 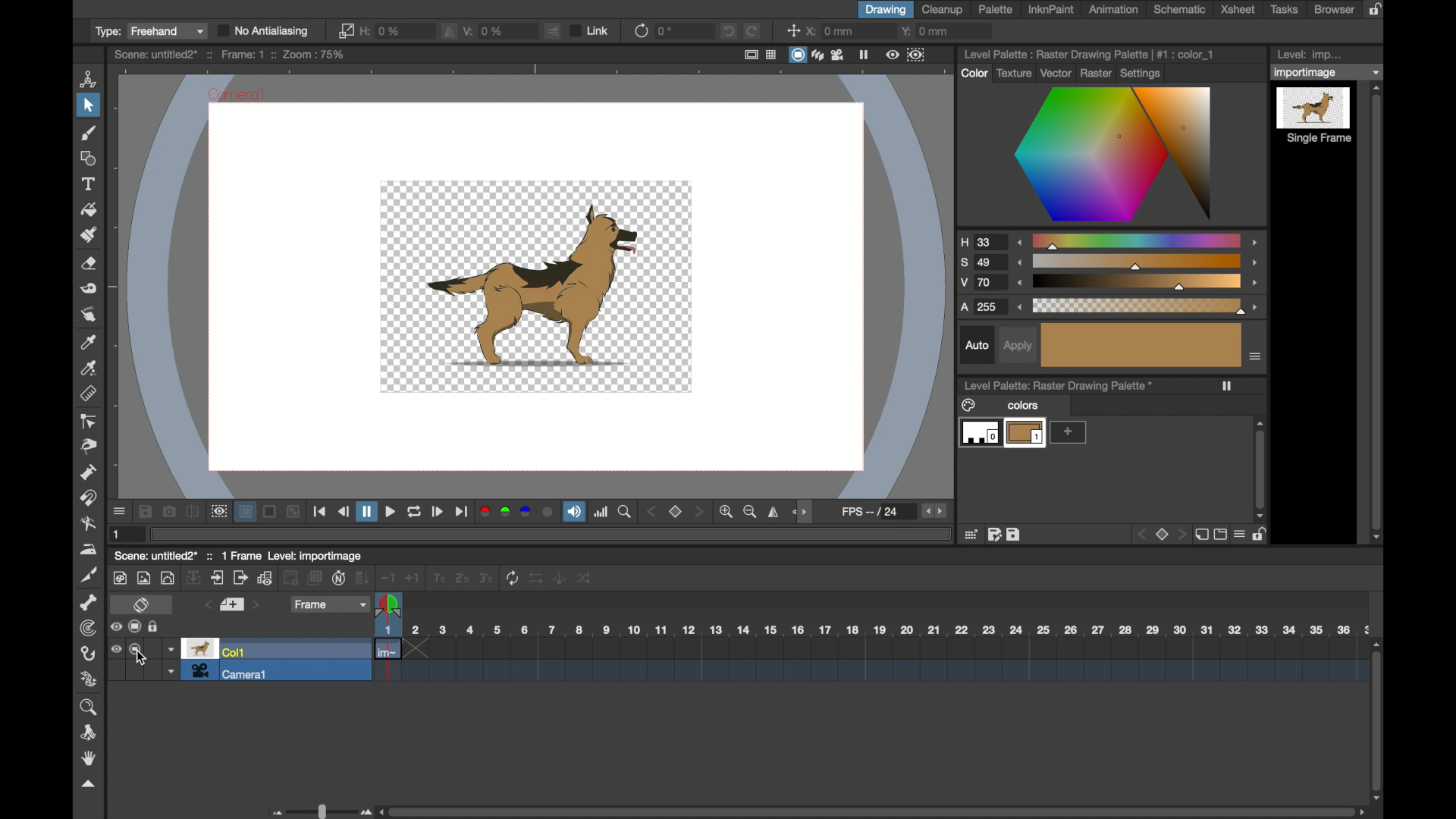 What do you see at coordinates (1096, 72) in the screenshot?
I see `raster` at bounding box center [1096, 72].